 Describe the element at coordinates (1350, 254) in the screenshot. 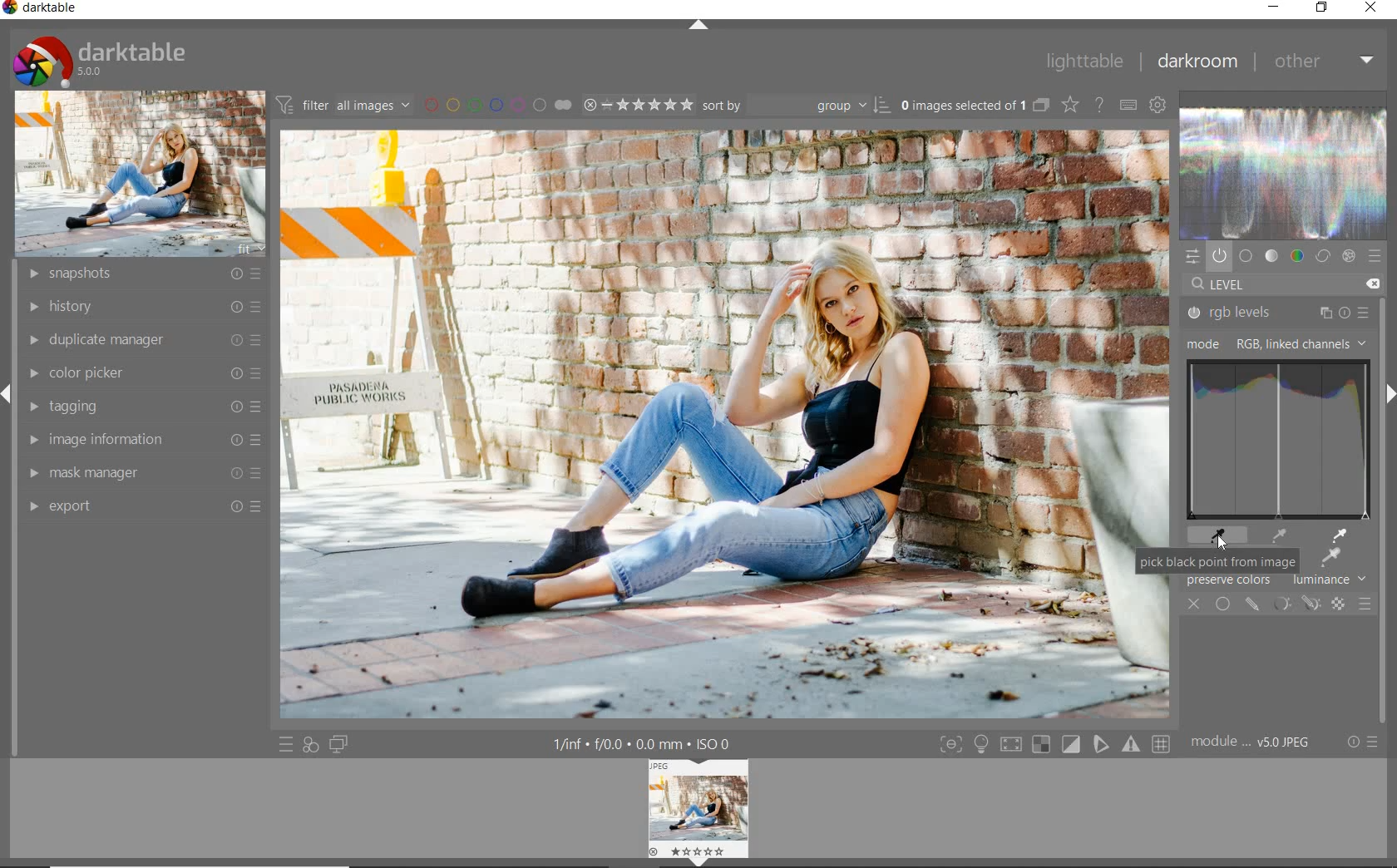

I see `effect` at that location.